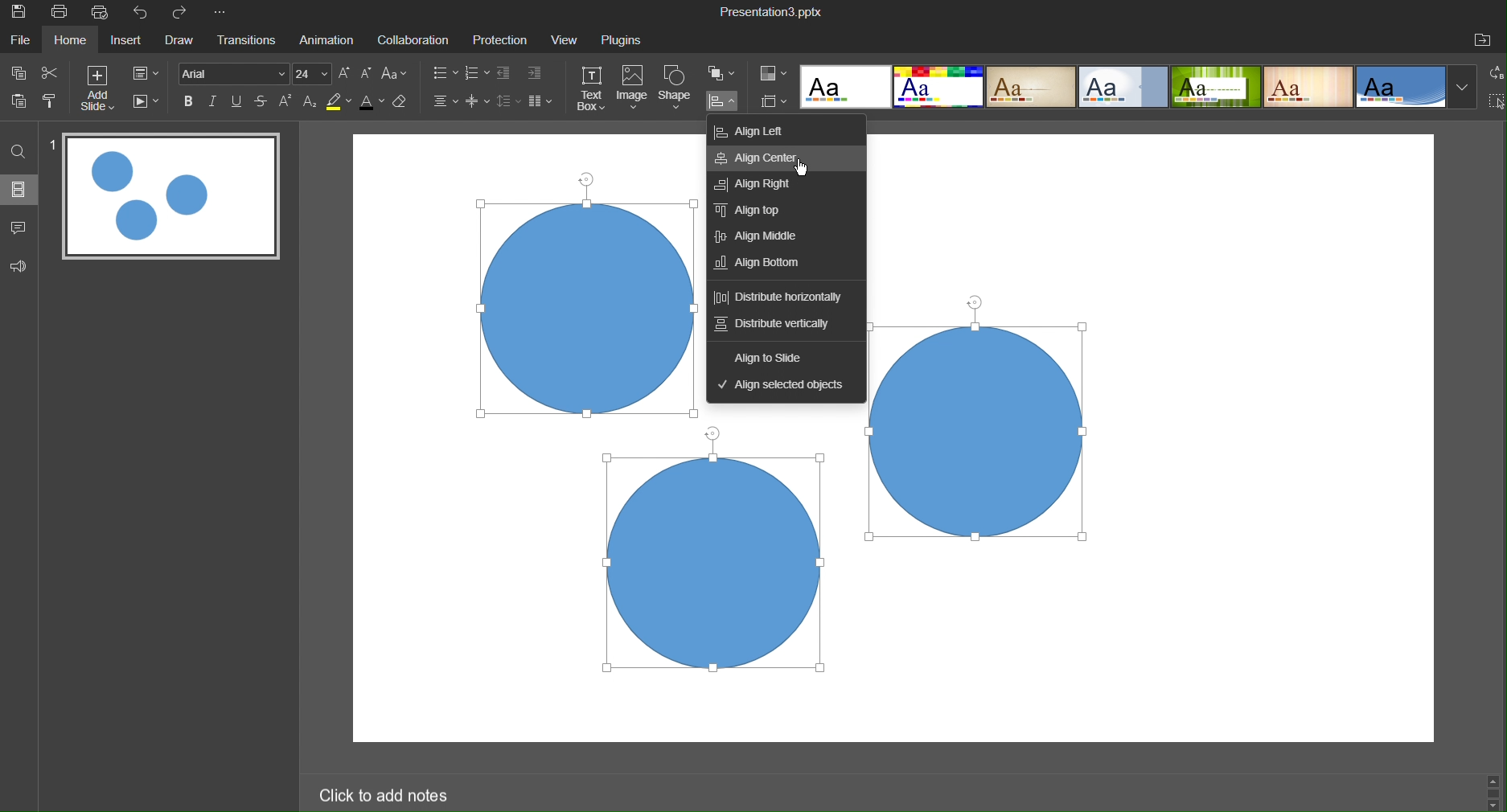 This screenshot has width=1507, height=812. I want to click on Home, so click(75, 41).